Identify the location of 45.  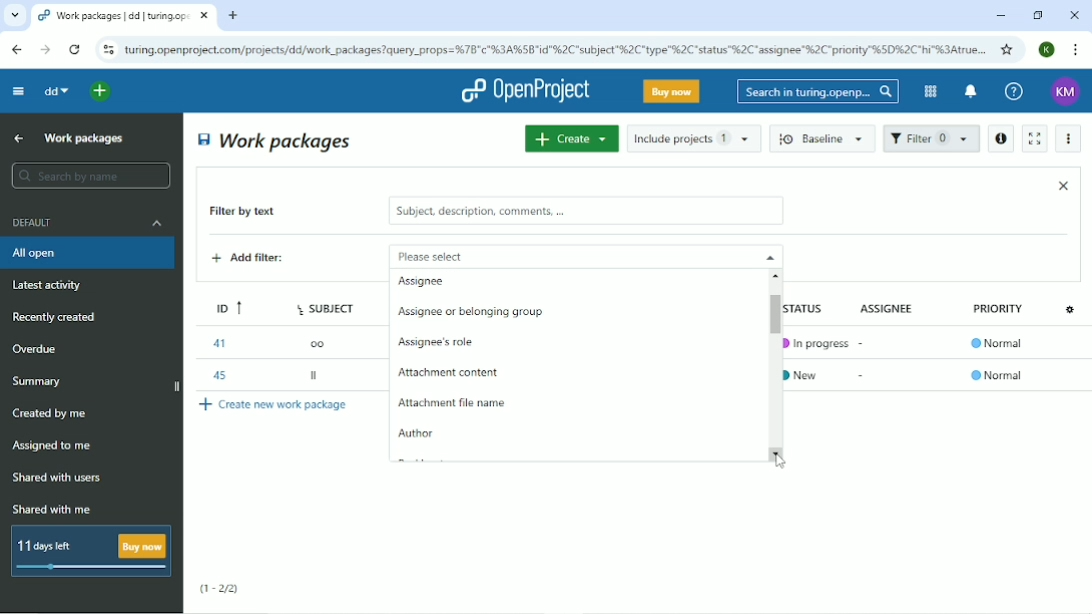
(217, 373).